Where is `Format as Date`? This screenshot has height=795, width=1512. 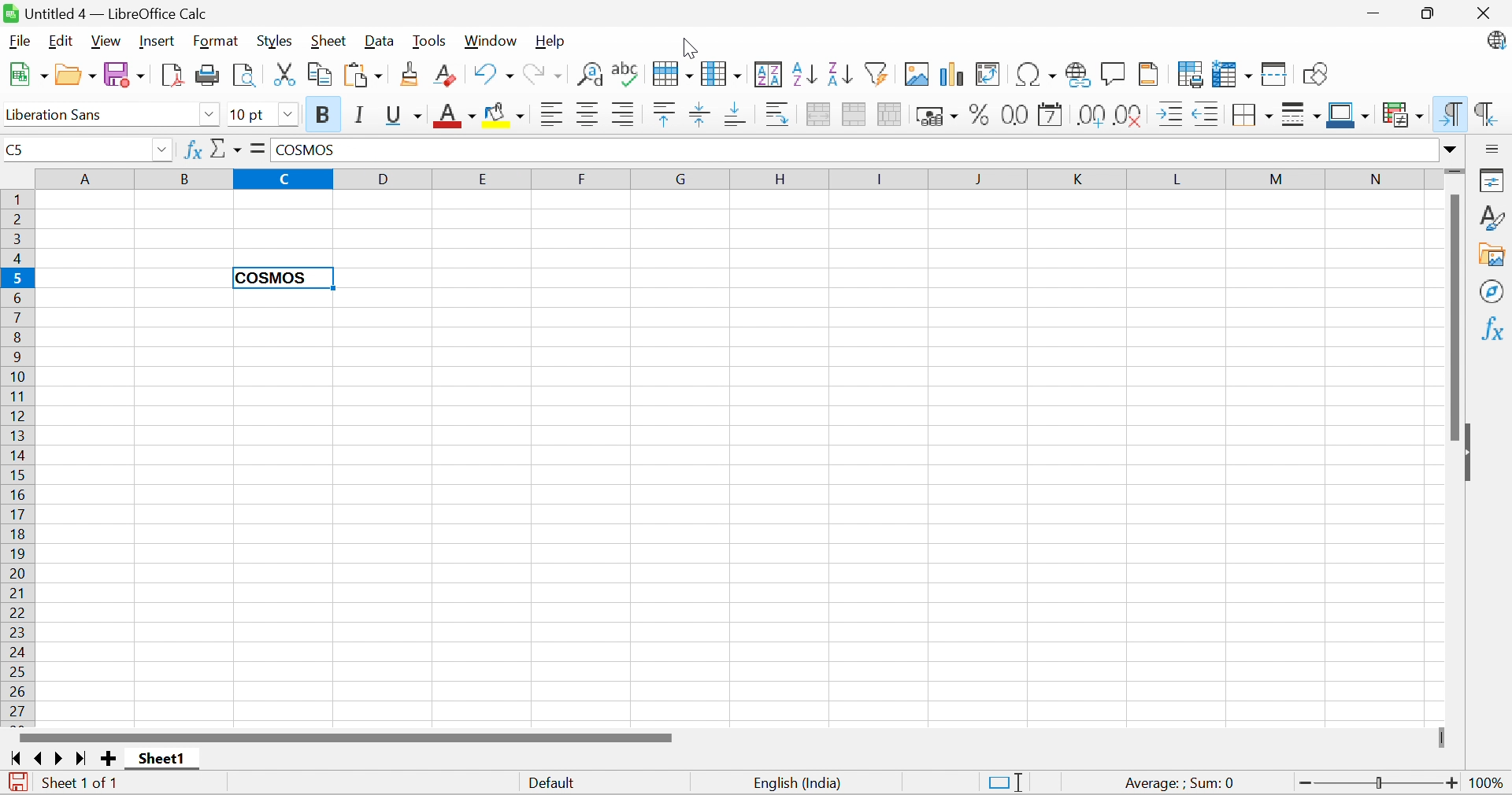 Format as Date is located at coordinates (1052, 115).